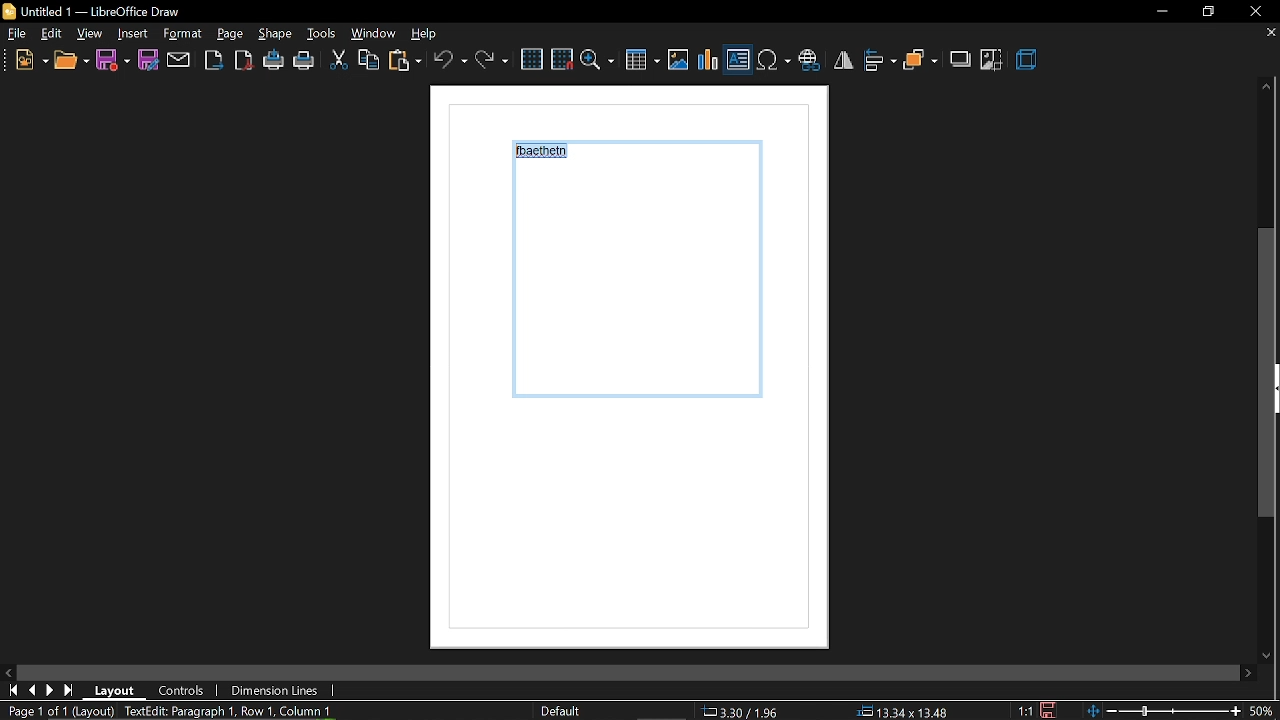 Image resolution: width=1280 pixels, height=720 pixels. Describe the element at coordinates (90, 33) in the screenshot. I see `view` at that location.